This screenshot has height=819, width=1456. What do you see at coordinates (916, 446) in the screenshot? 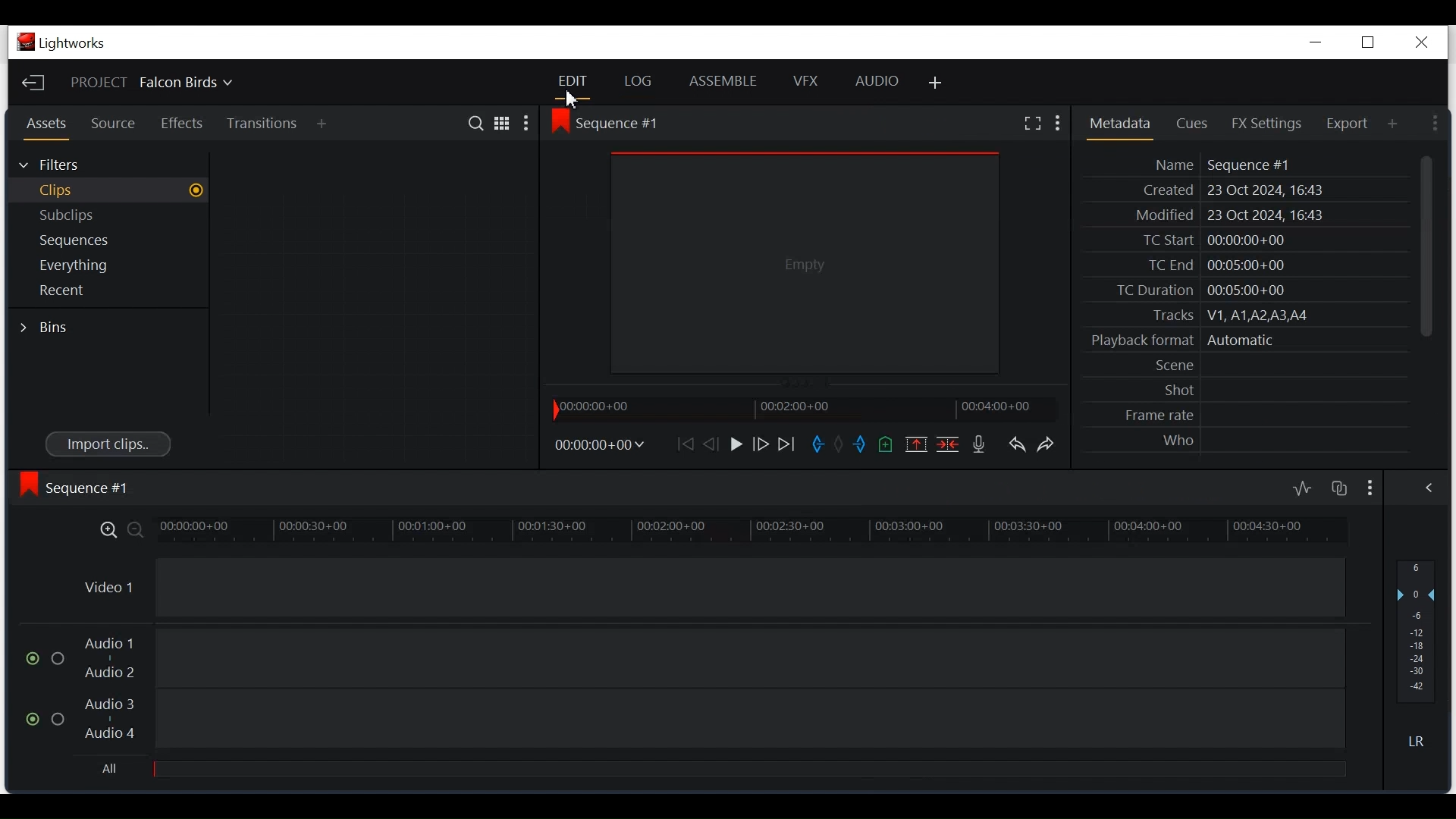
I see `Remove the marked version` at bounding box center [916, 446].